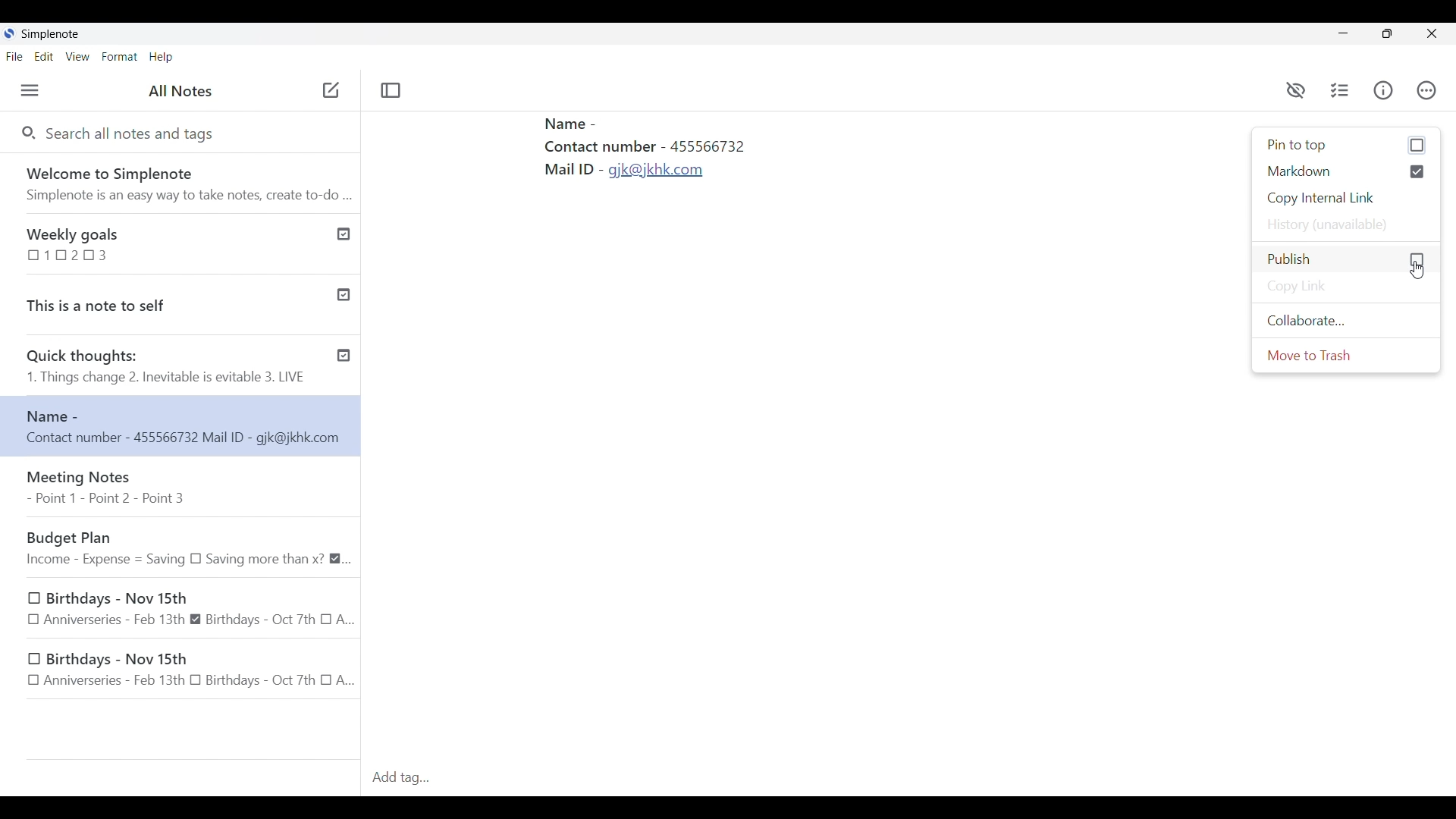 The image size is (1456, 819). Describe the element at coordinates (1383, 90) in the screenshot. I see `Info` at that location.